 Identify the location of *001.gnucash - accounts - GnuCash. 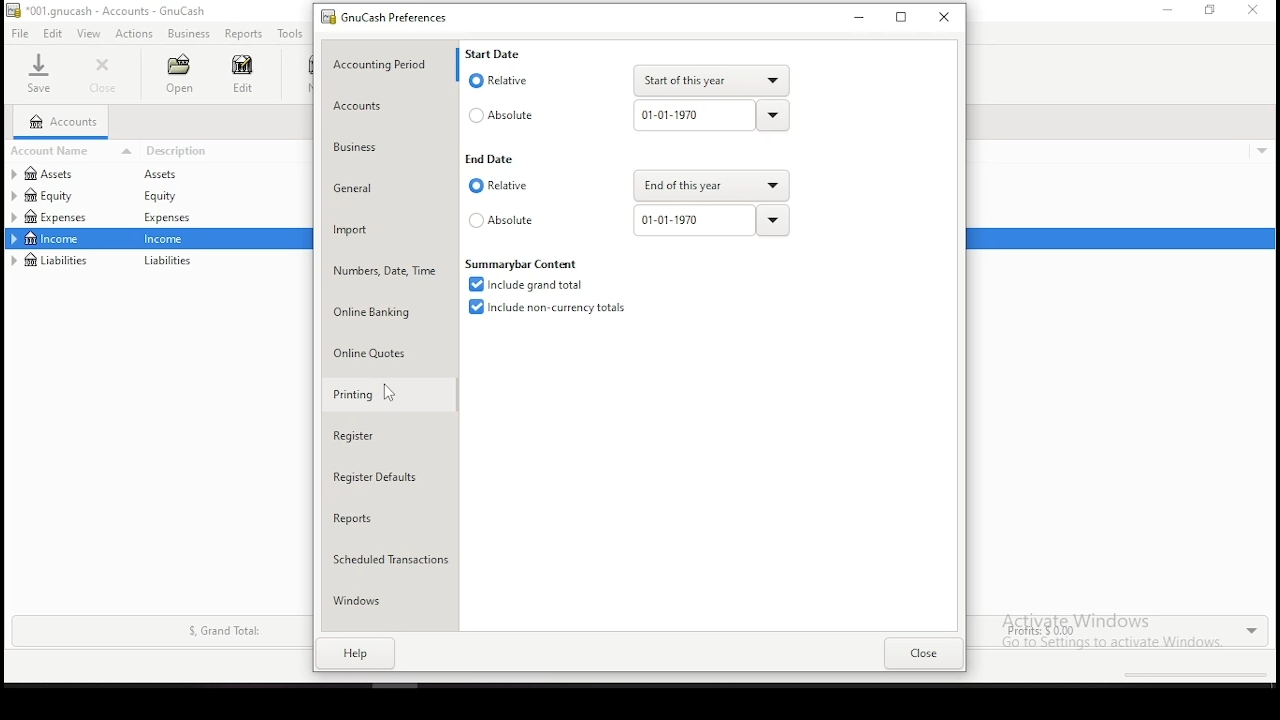
(106, 11).